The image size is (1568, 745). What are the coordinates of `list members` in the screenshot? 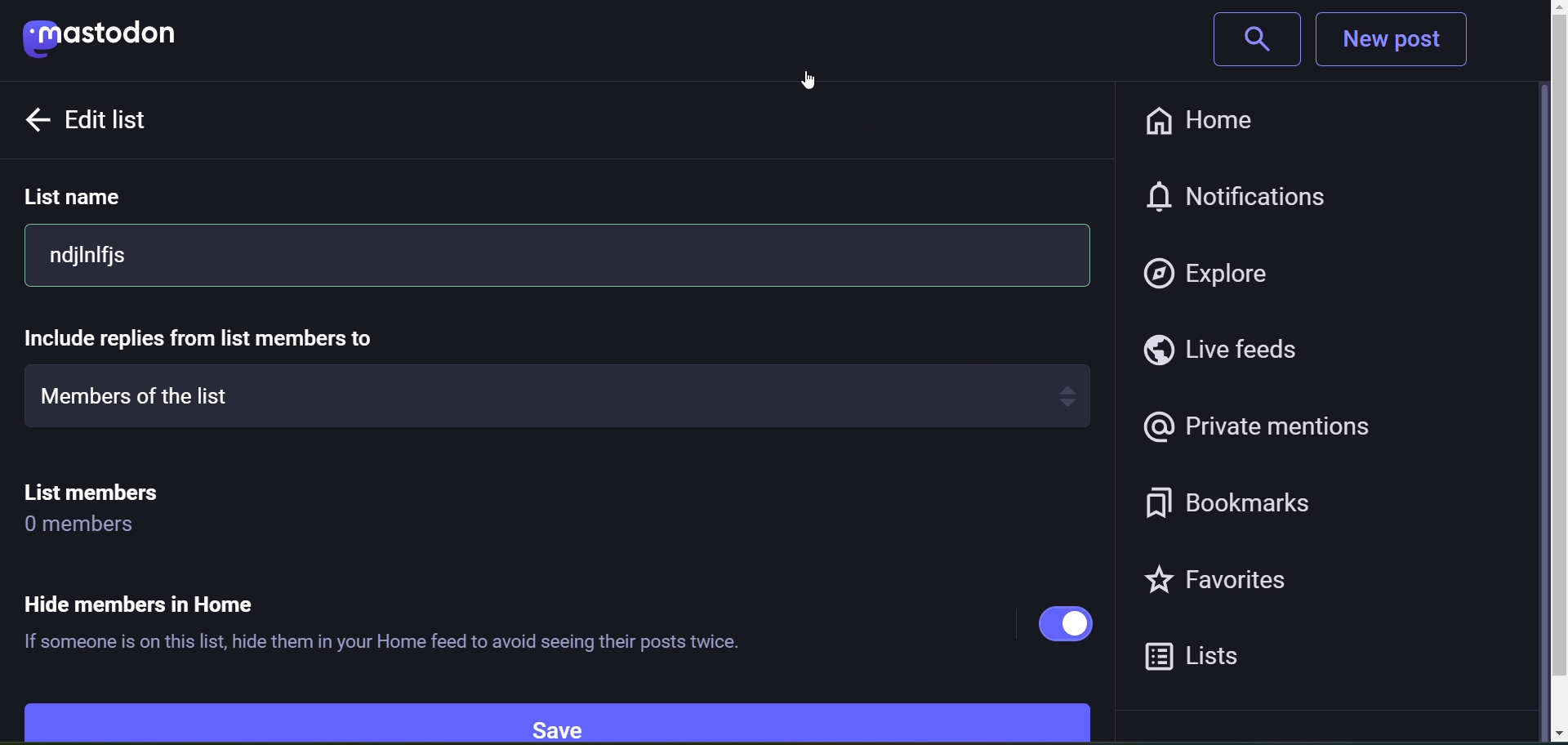 It's located at (134, 491).